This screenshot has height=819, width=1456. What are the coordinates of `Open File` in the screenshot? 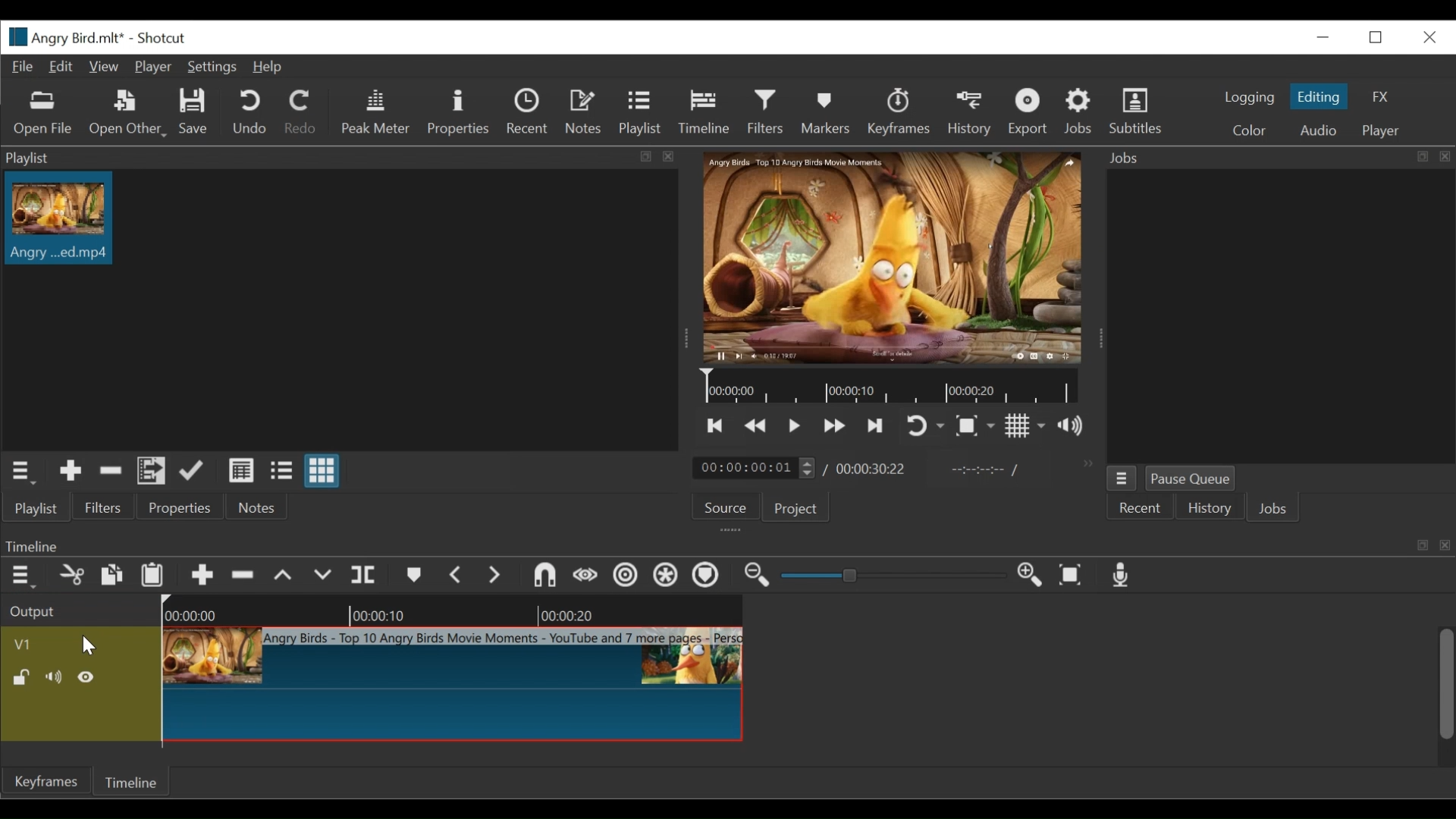 It's located at (46, 114).